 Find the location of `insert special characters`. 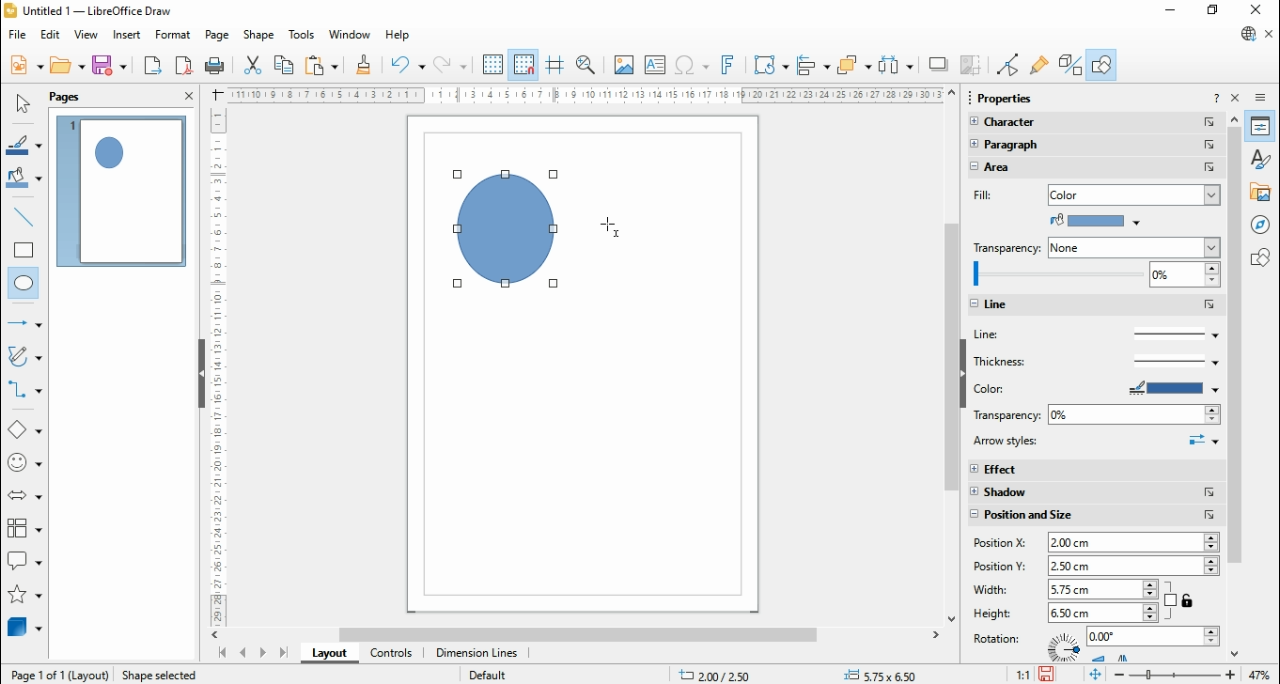

insert special characters is located at coordinates (693, 64).